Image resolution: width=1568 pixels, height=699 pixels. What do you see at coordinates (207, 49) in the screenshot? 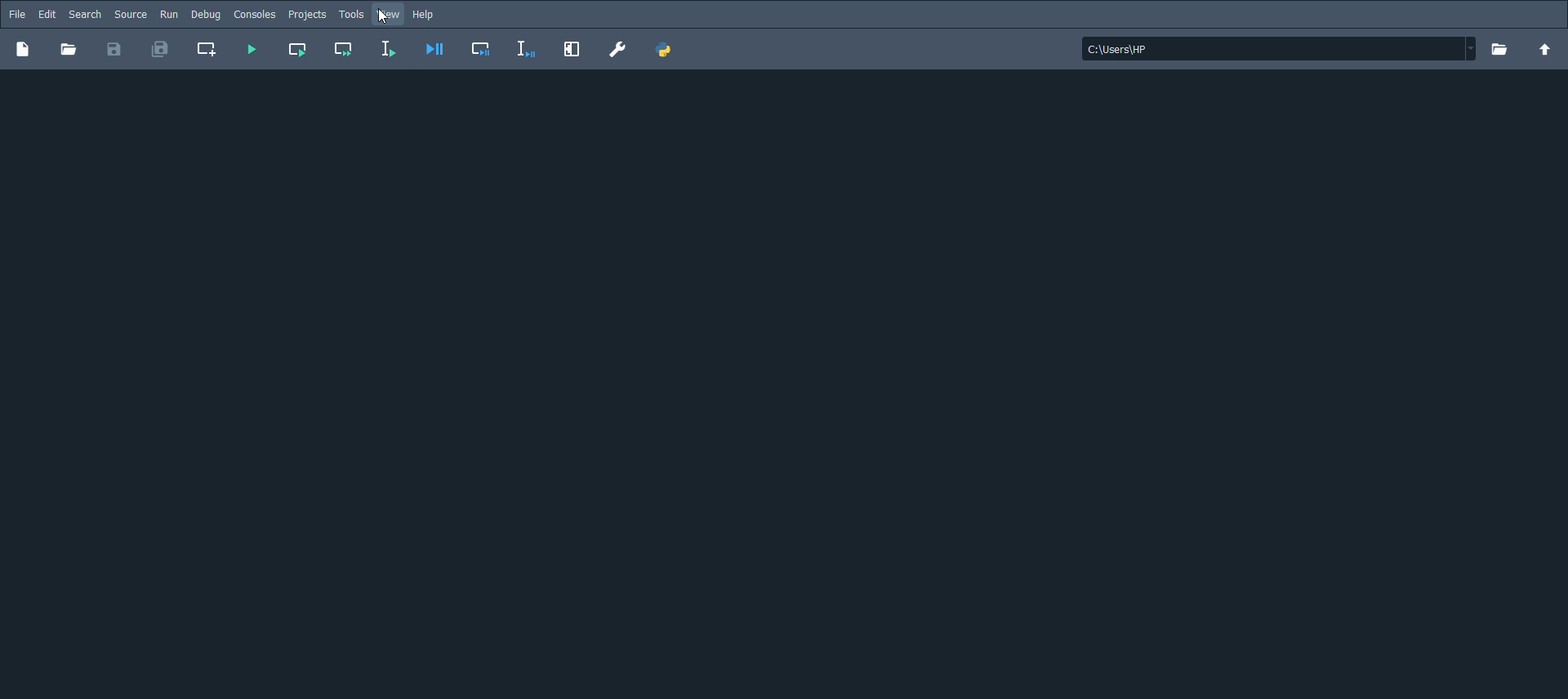
I see `Create new cell at the current line` at bounding box center [207, 49].